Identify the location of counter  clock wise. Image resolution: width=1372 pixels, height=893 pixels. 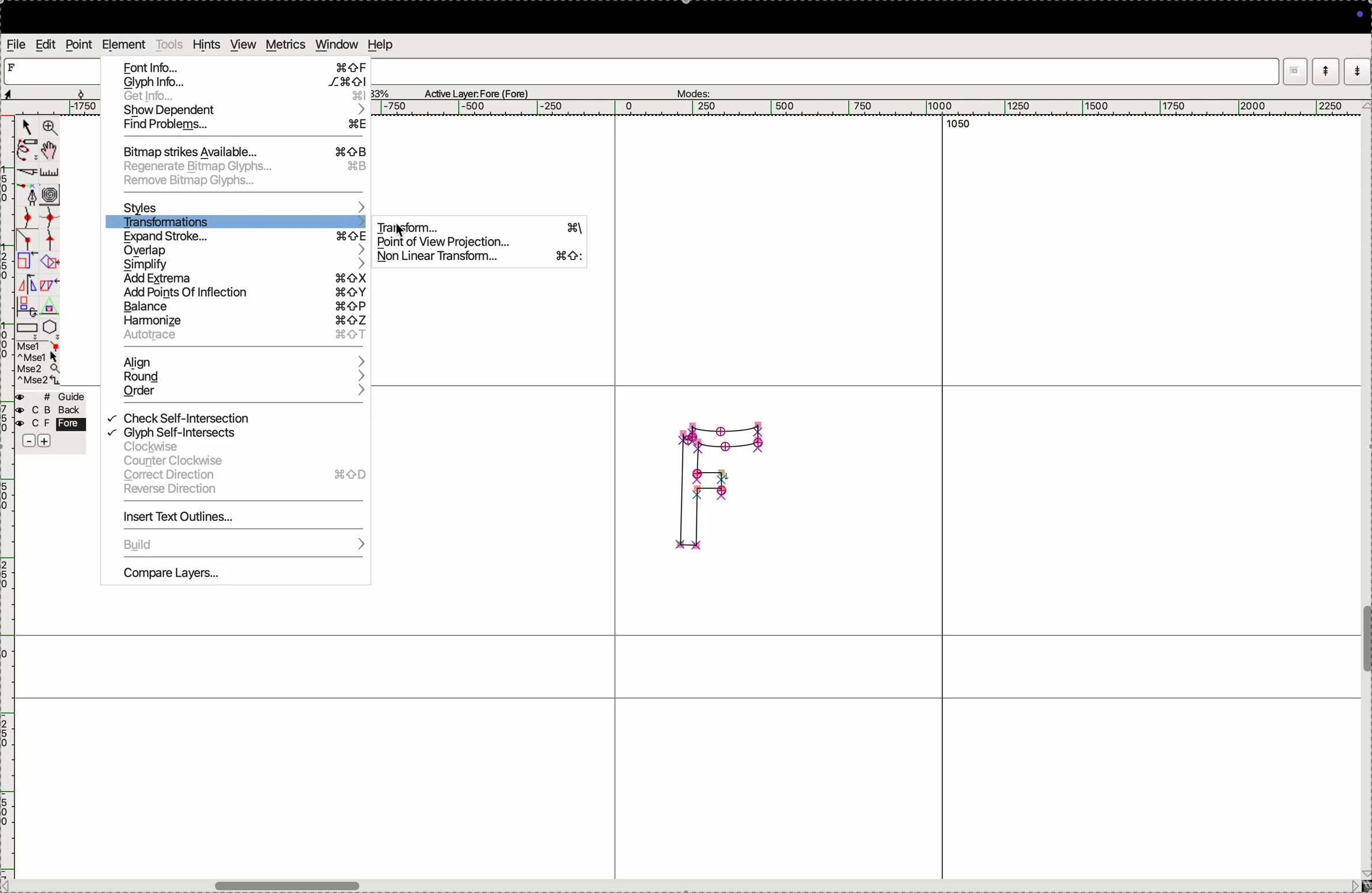
(240, 462).